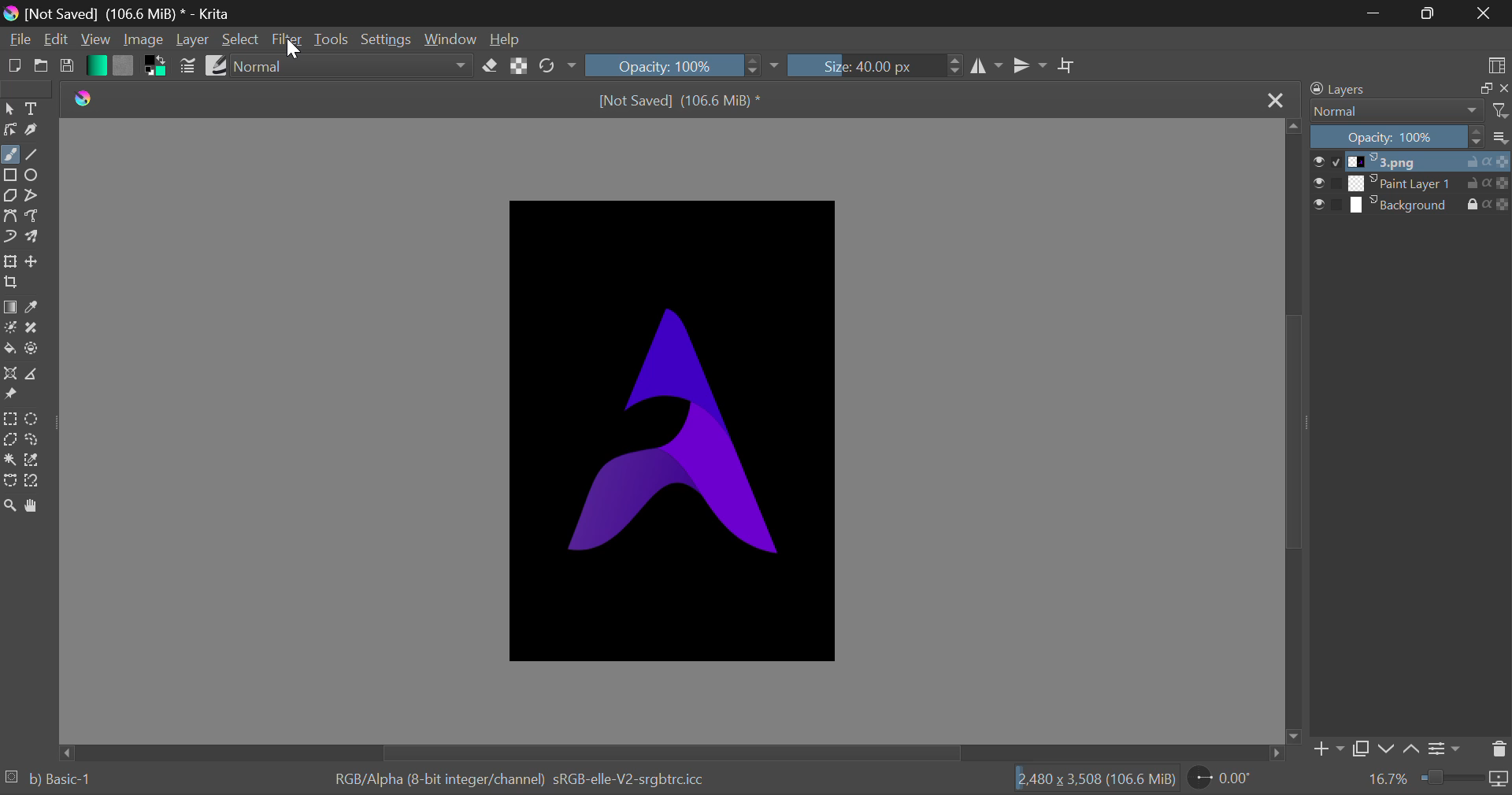  I want to click on Settings, so click(1447, 747).